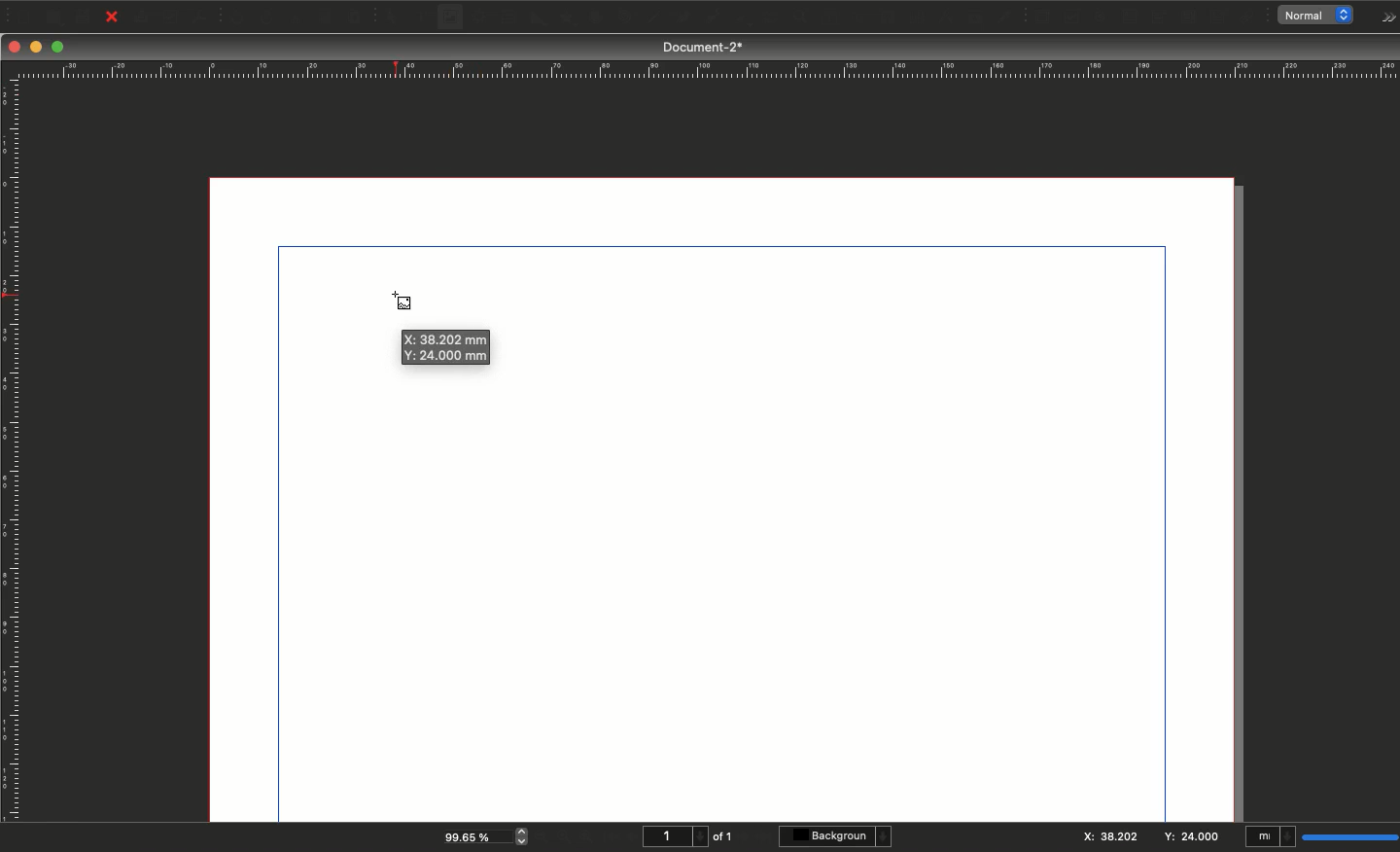 The width and height of the screenshot is (1400, 852). Describe the element at coordinates (13, 451) in the screenshot. I see `Ruler` at that location.